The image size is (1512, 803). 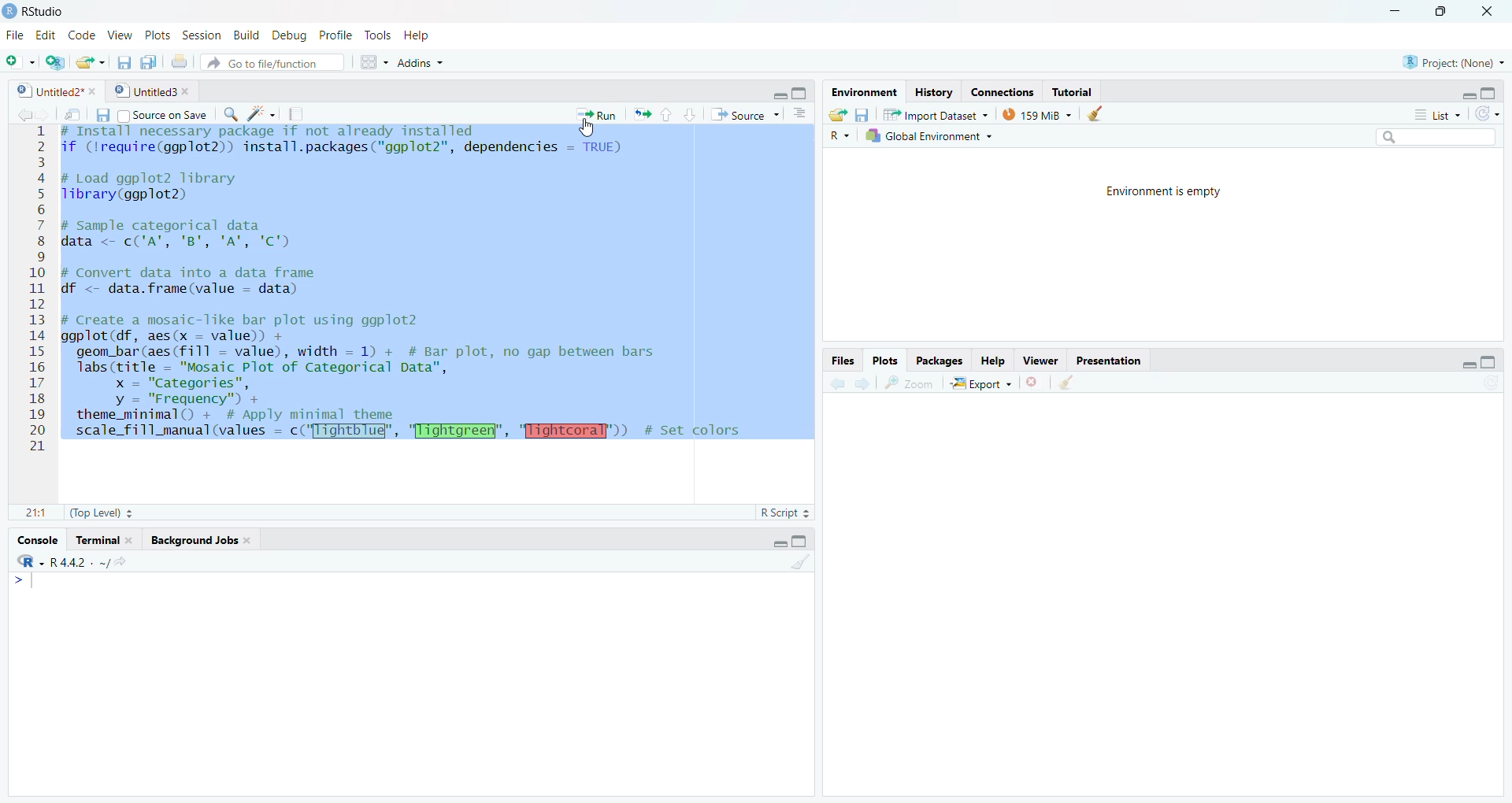 I want to click on Tools, so click(x=376, y=33).